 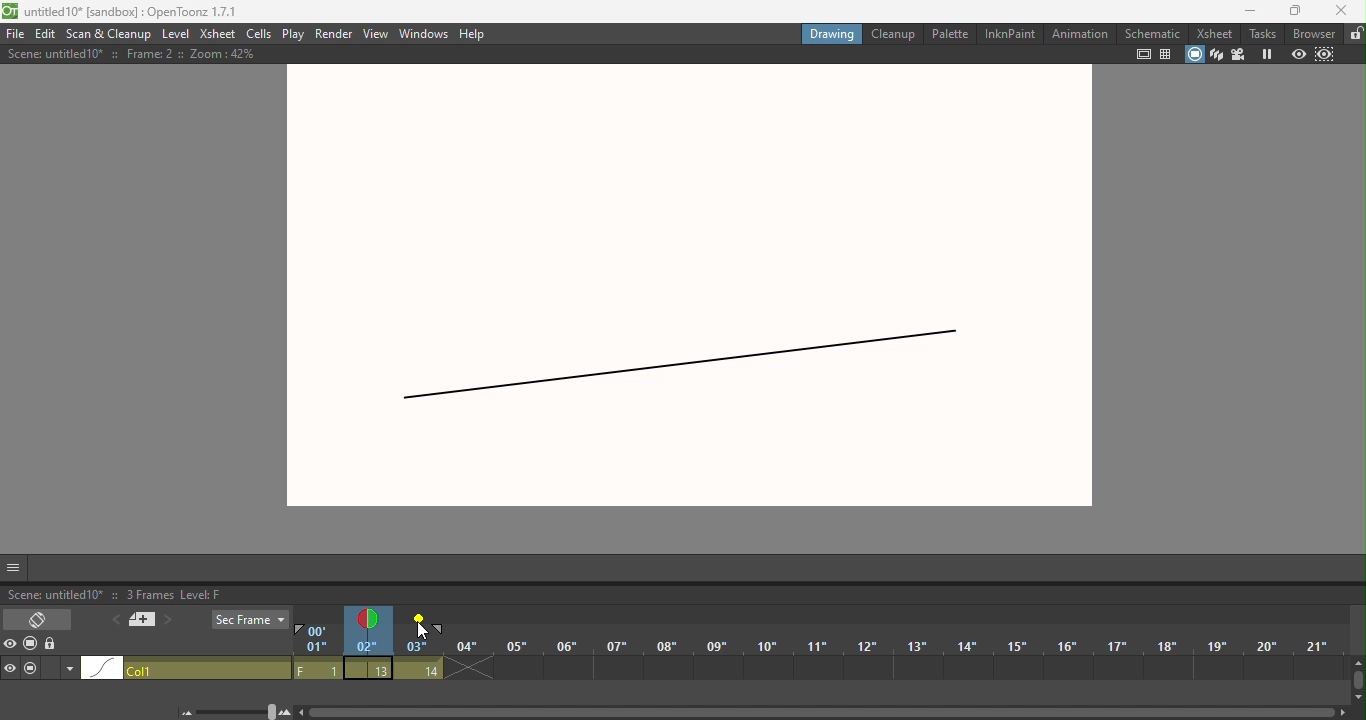 I want to click on field guide, so click(x=1166, y=54).